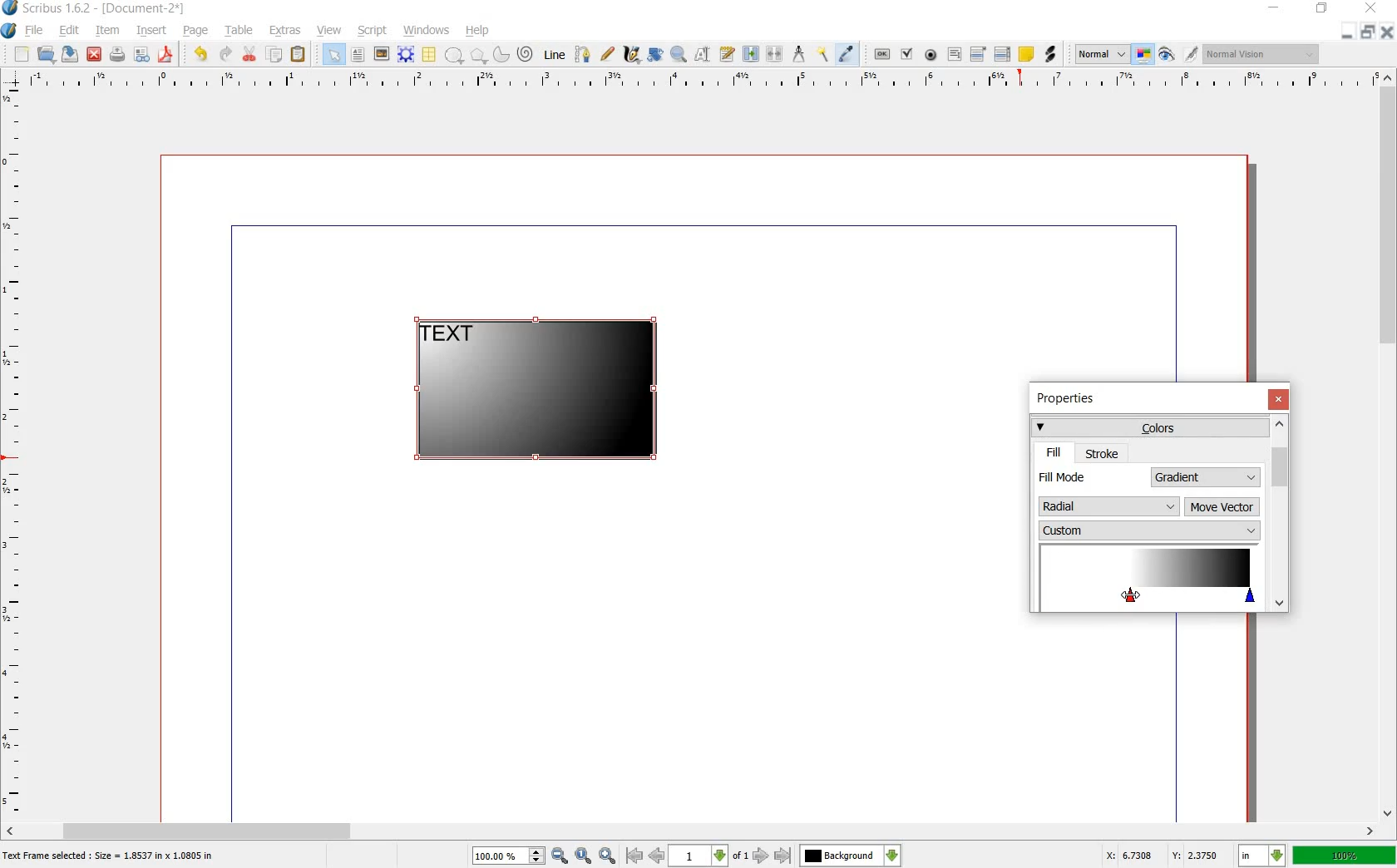 Image resolution: width=1397 pixels, height=868 pixels. What do you see at coordinates (152, 32) in the screenshot?
I see `insert` at bounding box center [152, 32].